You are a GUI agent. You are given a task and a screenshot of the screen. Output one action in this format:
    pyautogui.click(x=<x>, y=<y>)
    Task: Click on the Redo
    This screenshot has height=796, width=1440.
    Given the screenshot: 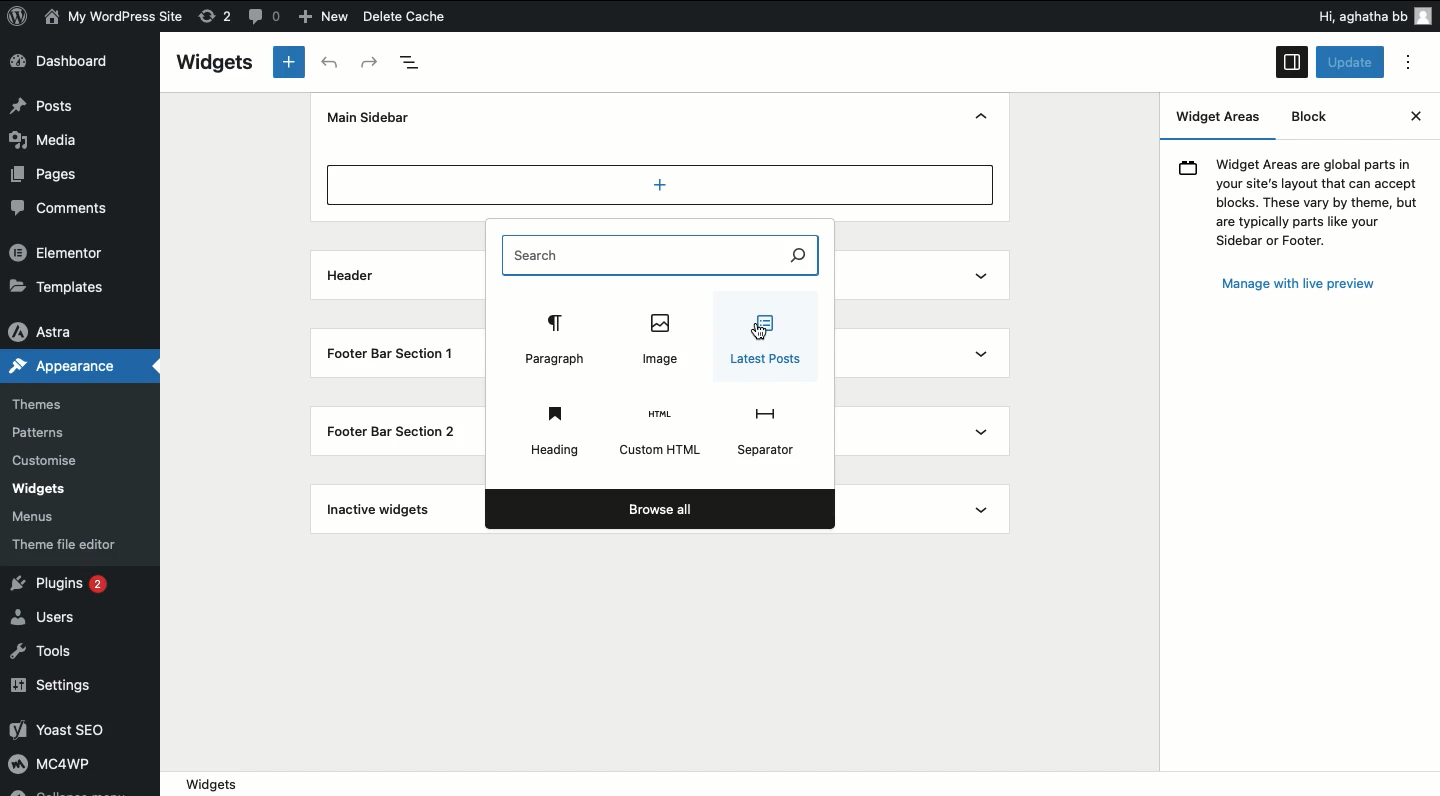 What is the action you would take?
    pyautogui.click(x=367, y=65)
    